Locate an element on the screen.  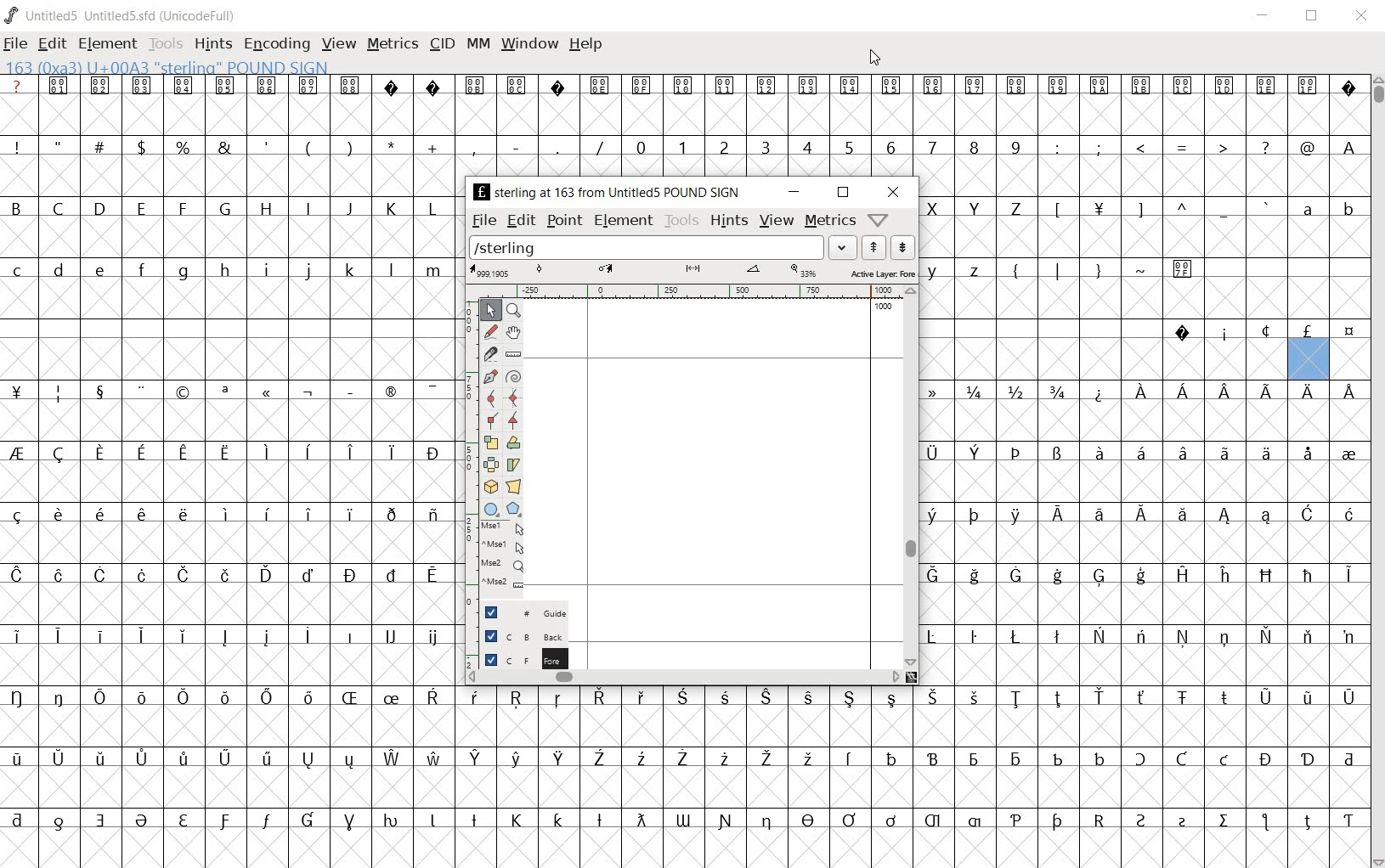
Symbol is located at coordinates (432, 578).